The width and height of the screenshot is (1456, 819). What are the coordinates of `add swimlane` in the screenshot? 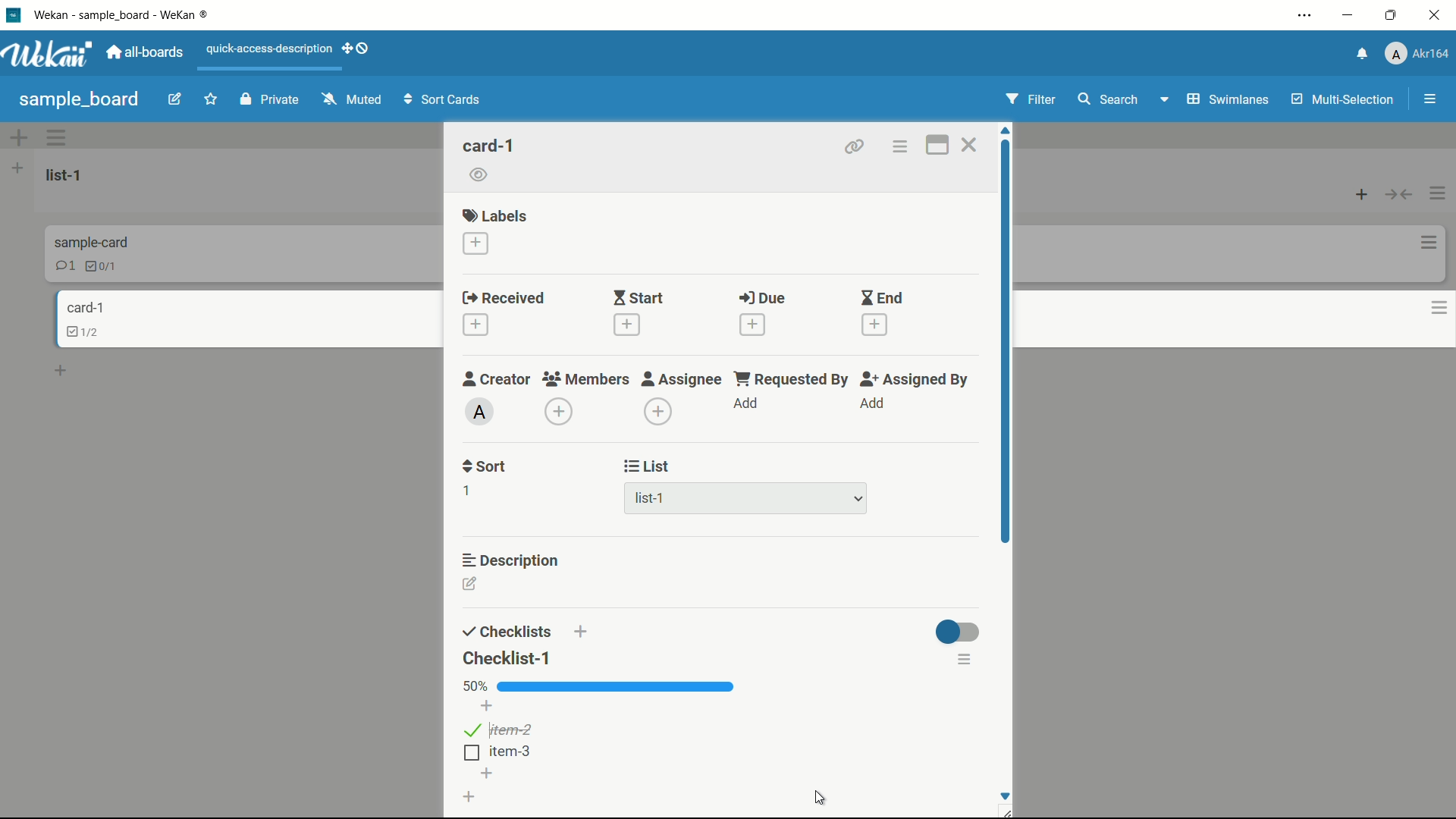 It's located at (20, 136).